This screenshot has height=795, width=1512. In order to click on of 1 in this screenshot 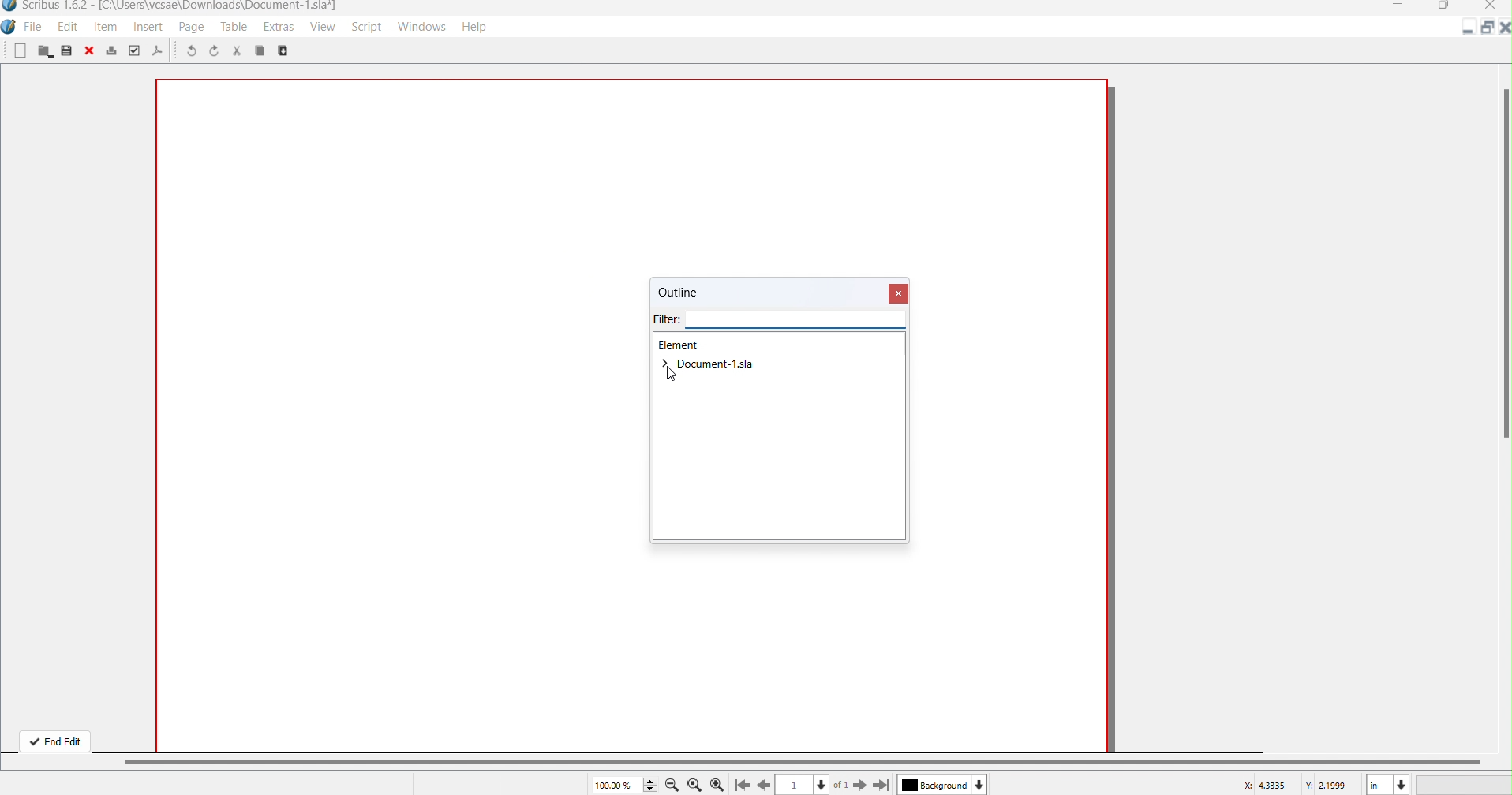, I will do `click(843, 785)`.